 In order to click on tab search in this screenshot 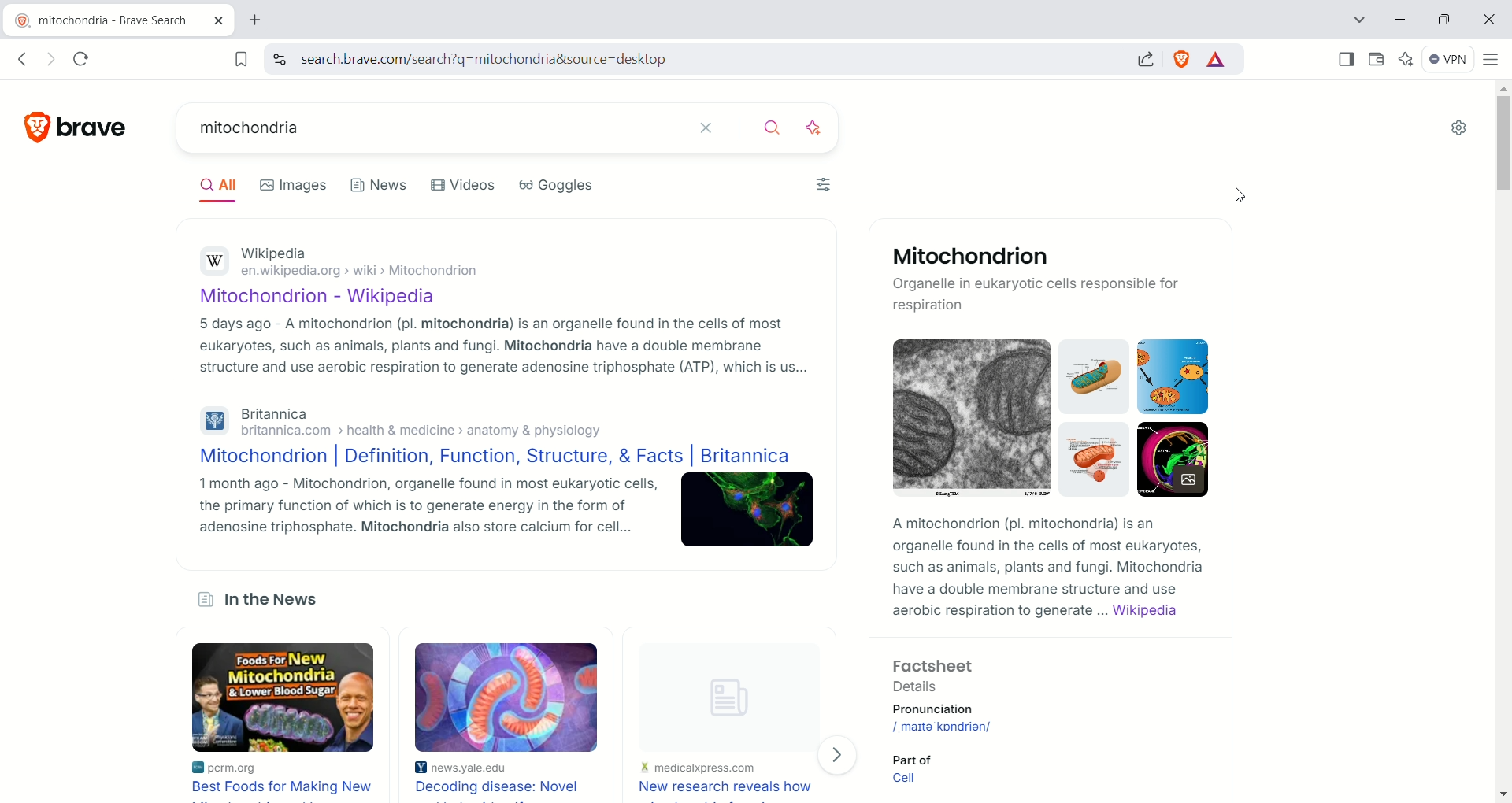, I will do `click(1359, 22)`.